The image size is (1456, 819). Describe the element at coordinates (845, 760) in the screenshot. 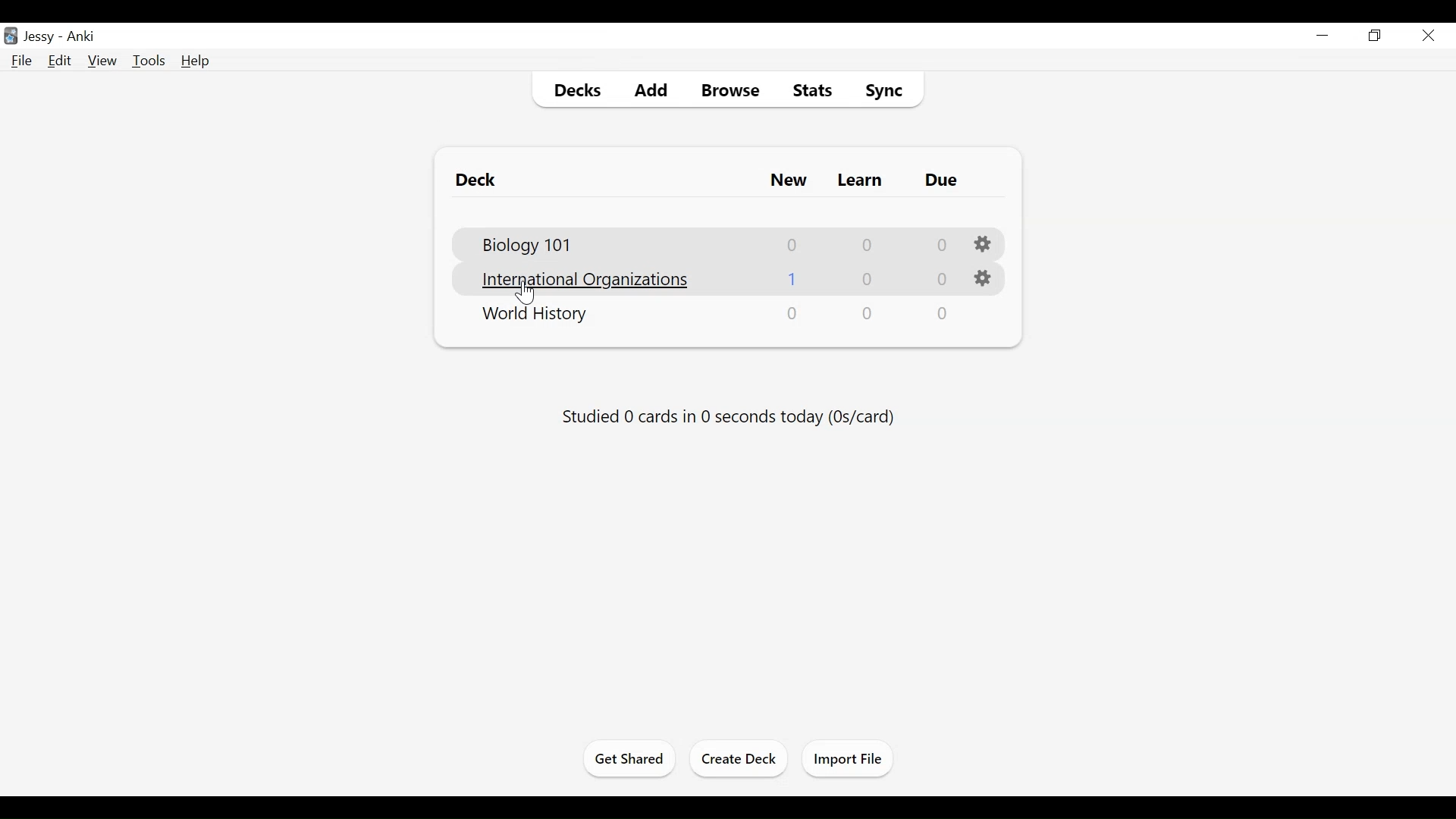

I see `Import File` at that location.